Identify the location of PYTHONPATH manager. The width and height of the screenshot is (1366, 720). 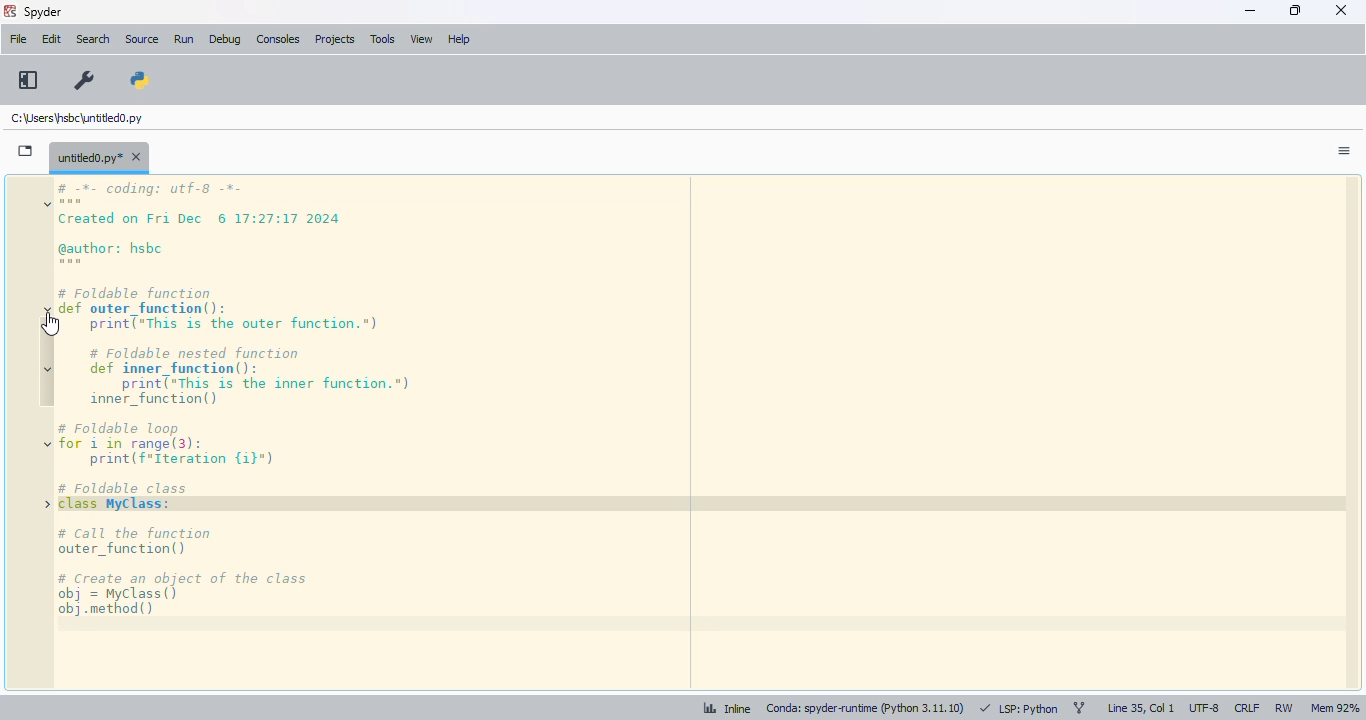
(141, 77).